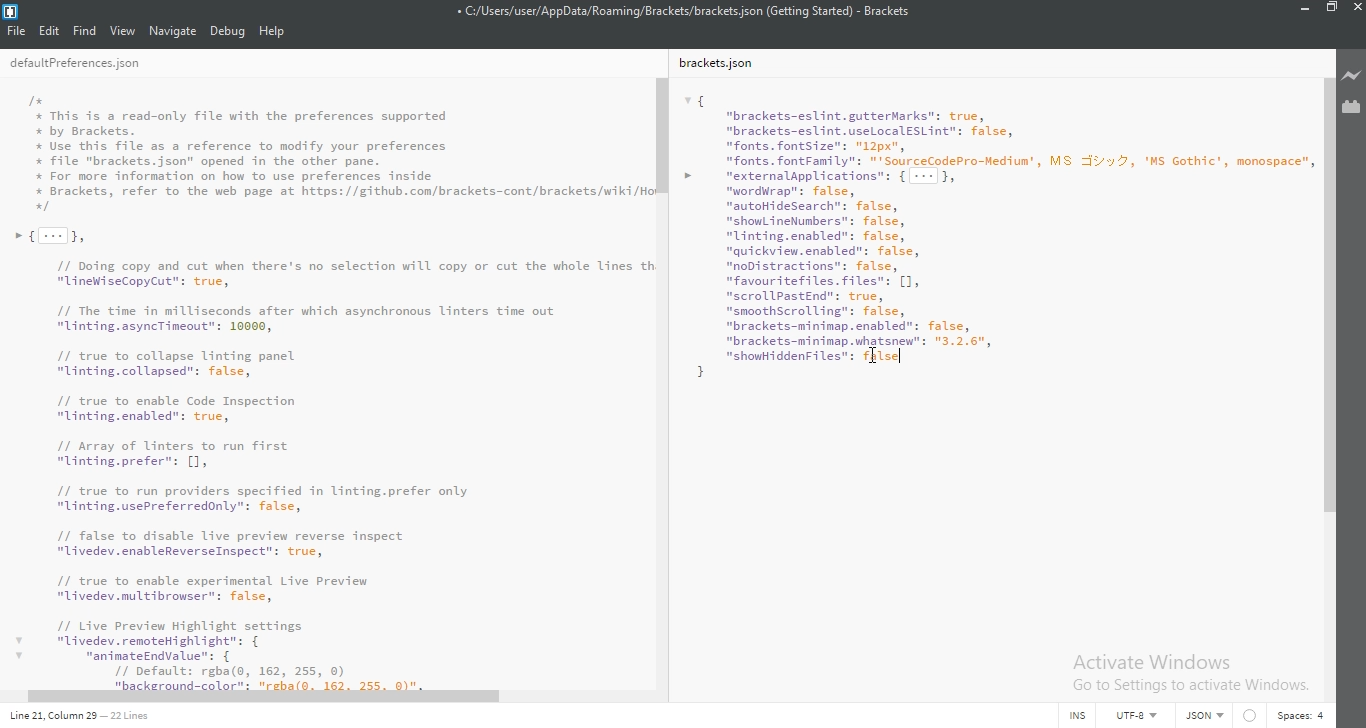 This screenshot has height=728, width=1366. Describe the element at coordinates (716, 62) in the screenshot. I see `brackets.json` at that location.